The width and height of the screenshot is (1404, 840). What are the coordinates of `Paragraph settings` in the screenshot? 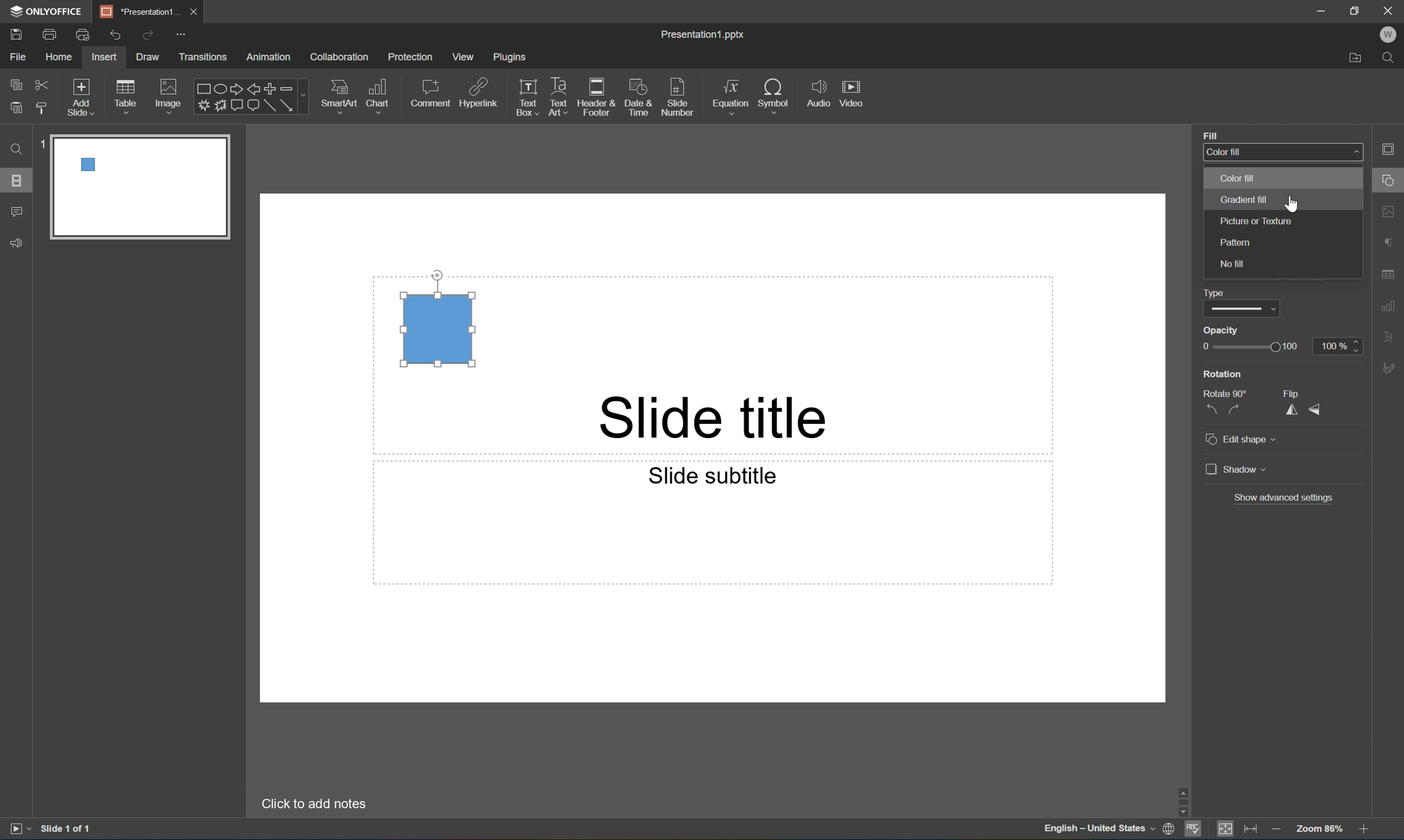 It's located at (1391, 243).